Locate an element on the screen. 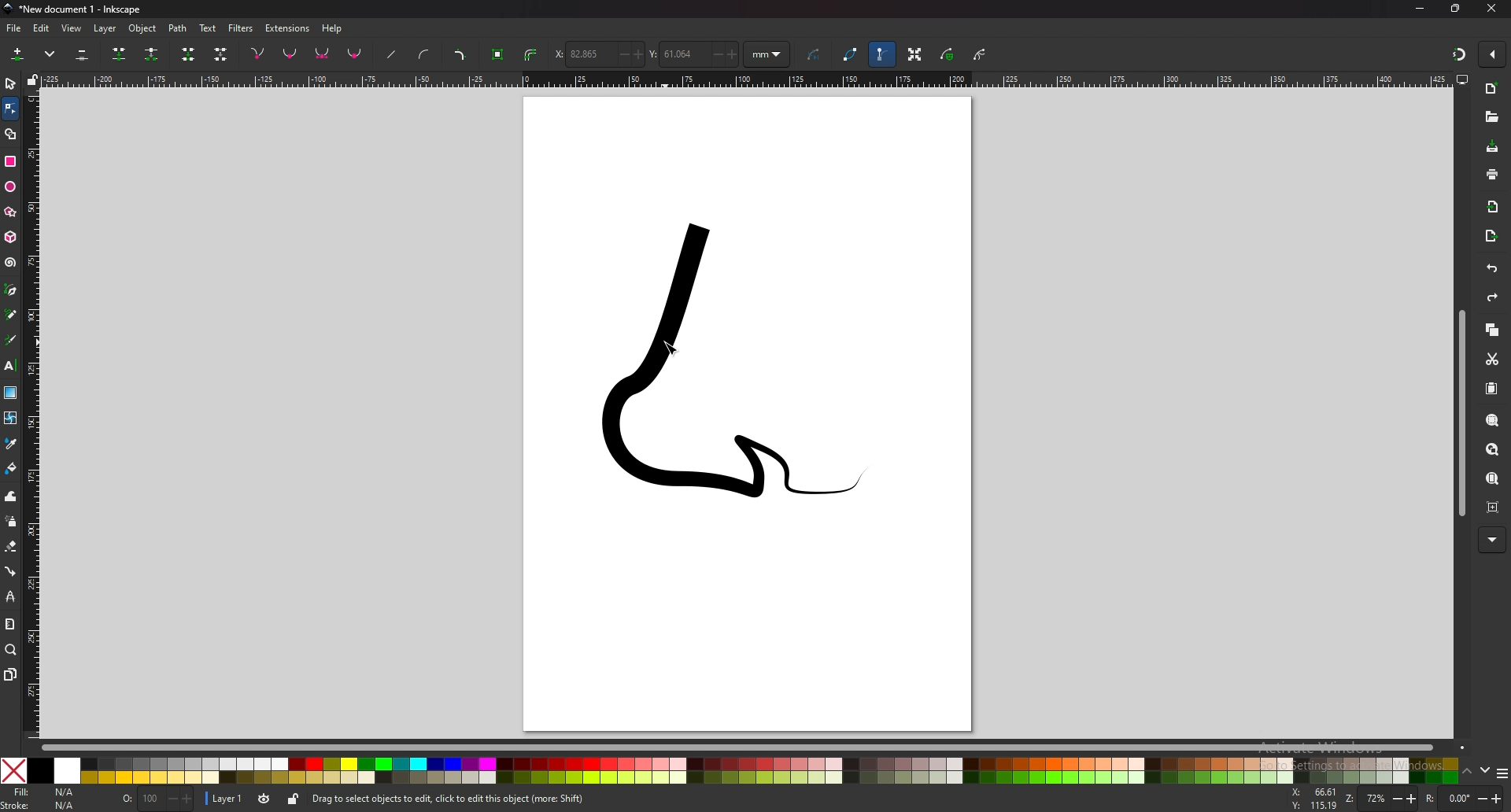 This screenshot has height=812, width=1511. connector is located at coordinates (11, 571).